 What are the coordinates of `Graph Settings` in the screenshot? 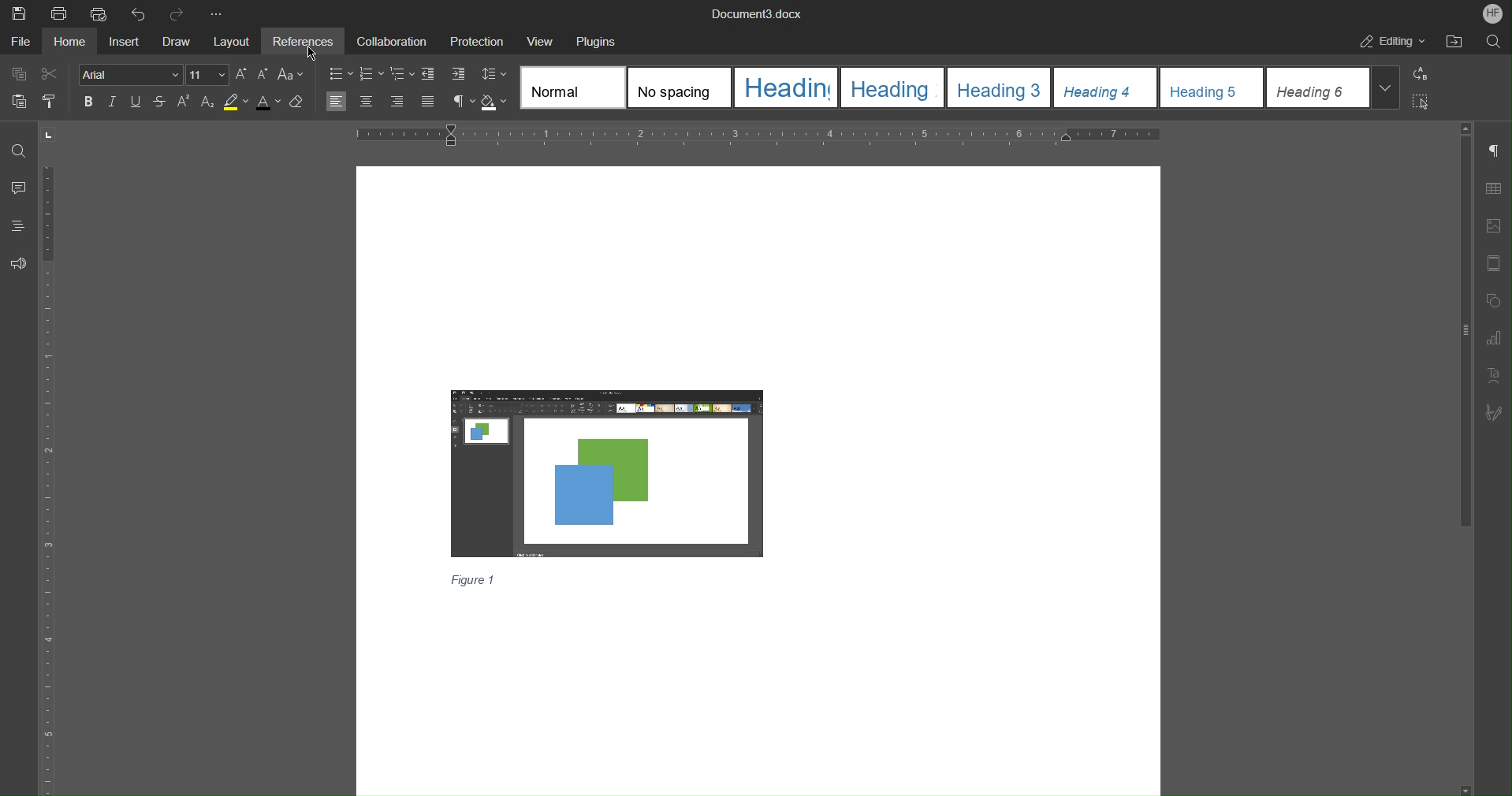 It's located at (1494, 340).